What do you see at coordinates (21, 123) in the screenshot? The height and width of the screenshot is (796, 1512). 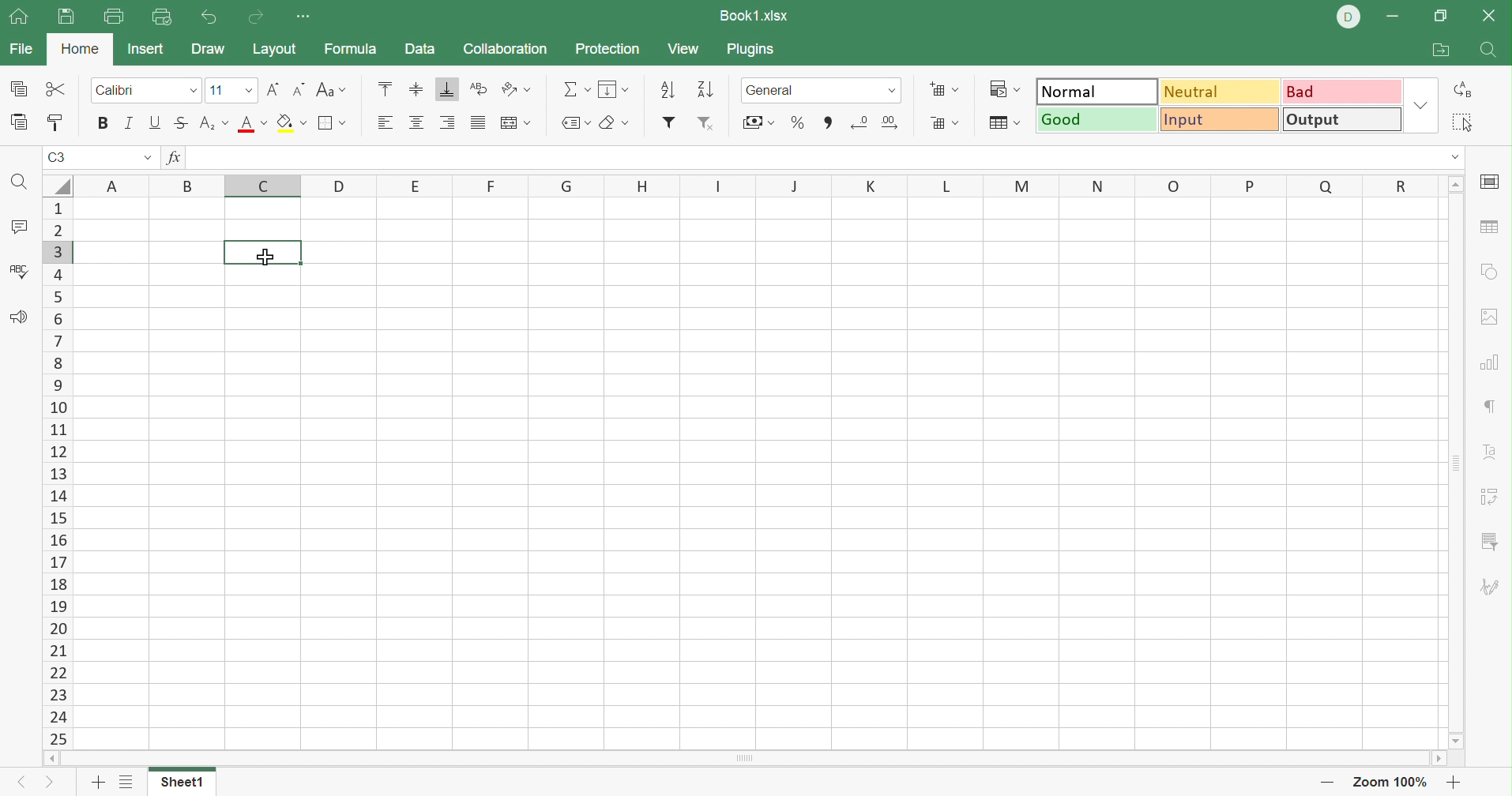 I see `Paste` at bounding box center [21, 123].